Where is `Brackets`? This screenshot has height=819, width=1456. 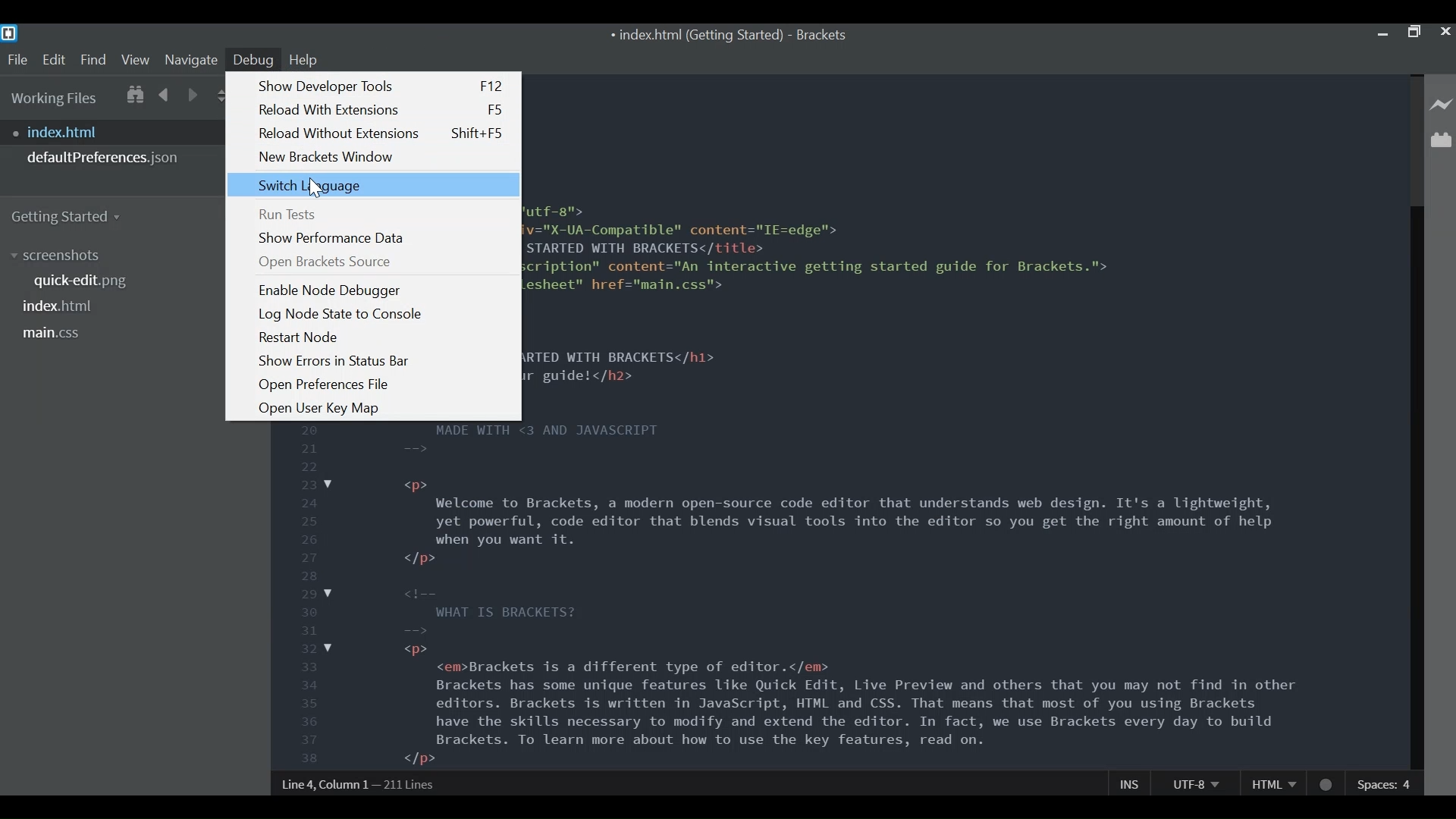 Brackets is located at coordinates (821, 36).